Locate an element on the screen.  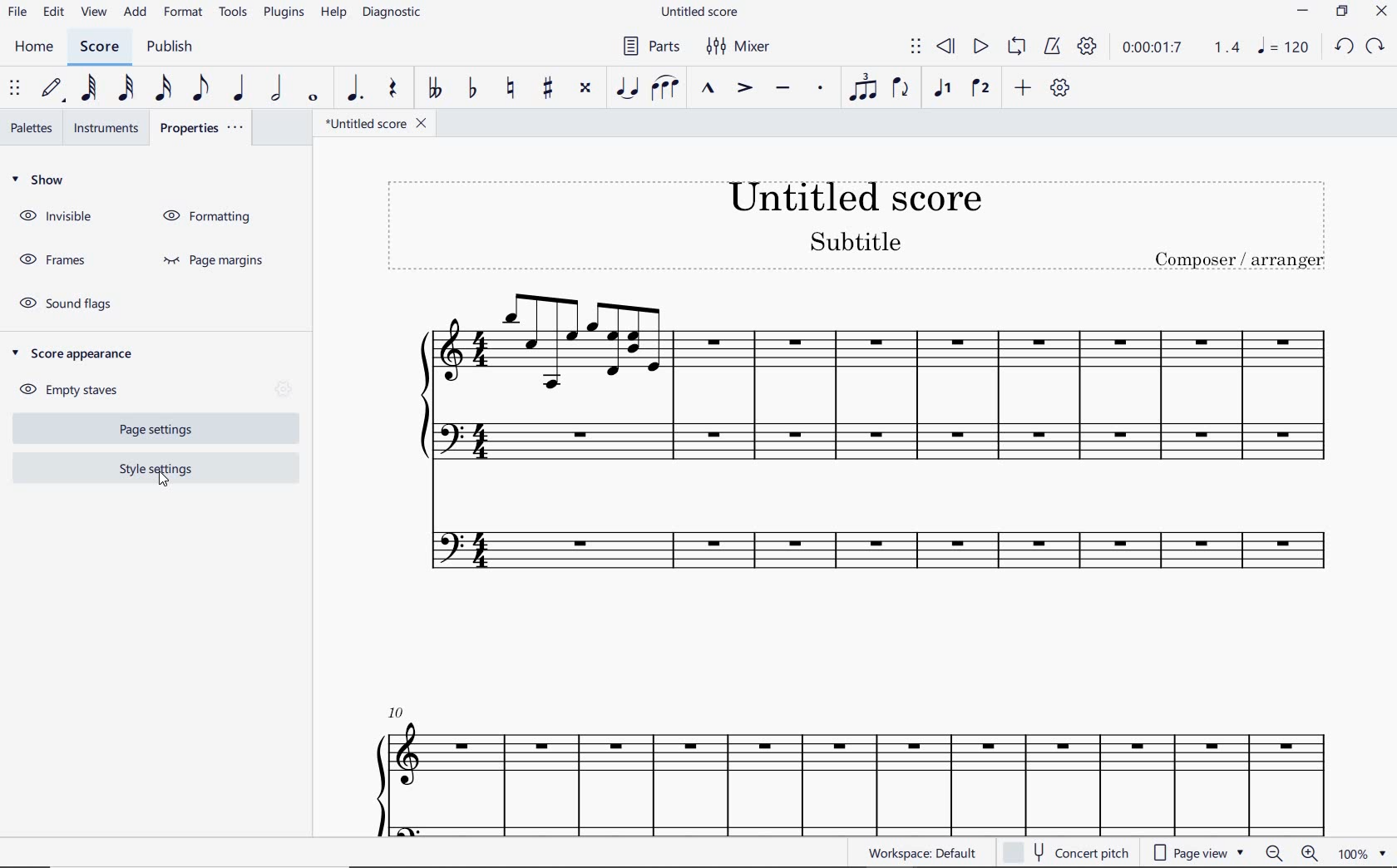
REST is located at coordinates (392, 89).